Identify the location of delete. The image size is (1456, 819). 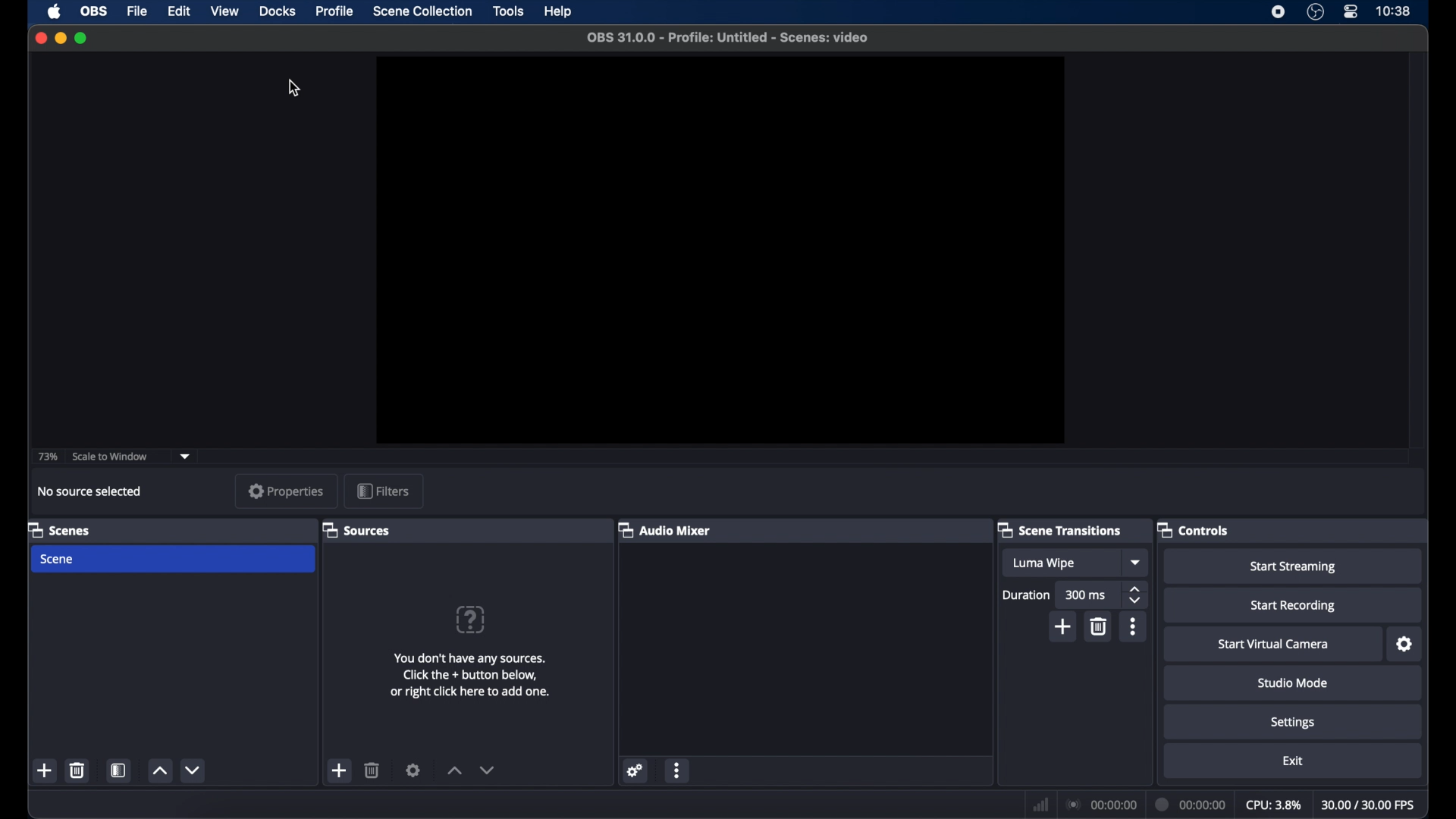
(1100, 626).